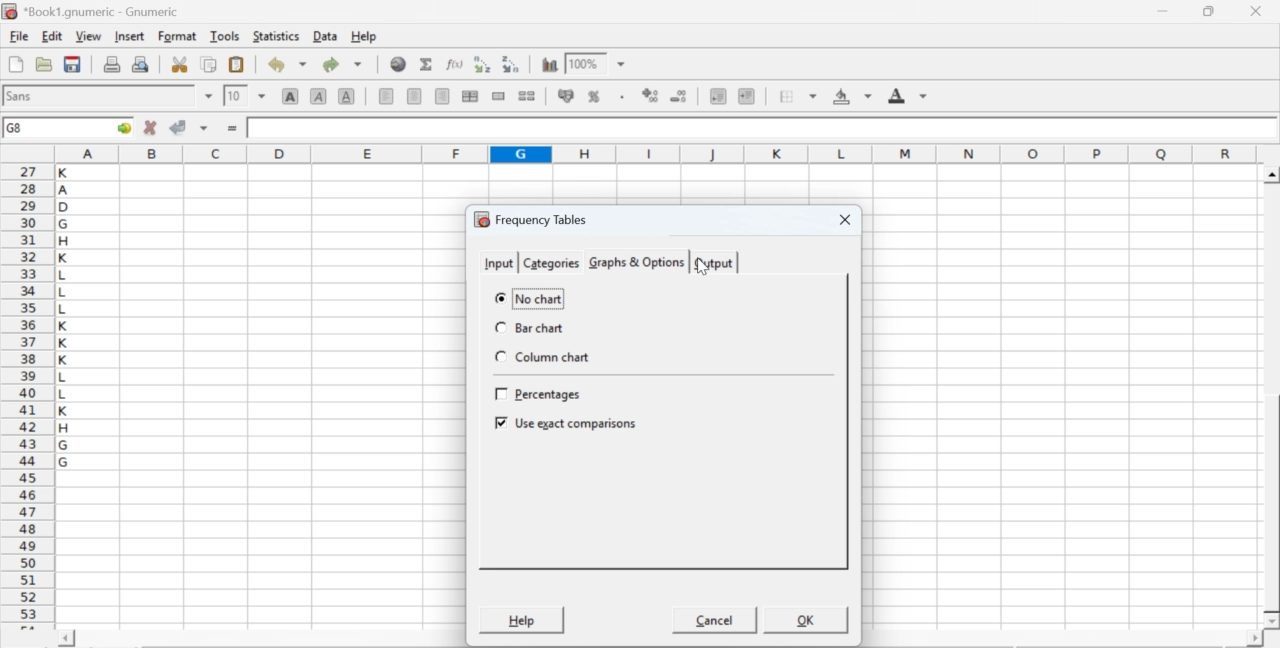 The width and height of the screenshot is (1280, 648). What do you see at coordinates (141, 63) in the screenshot?
I see `print preview` at bounding box center [141, 63].